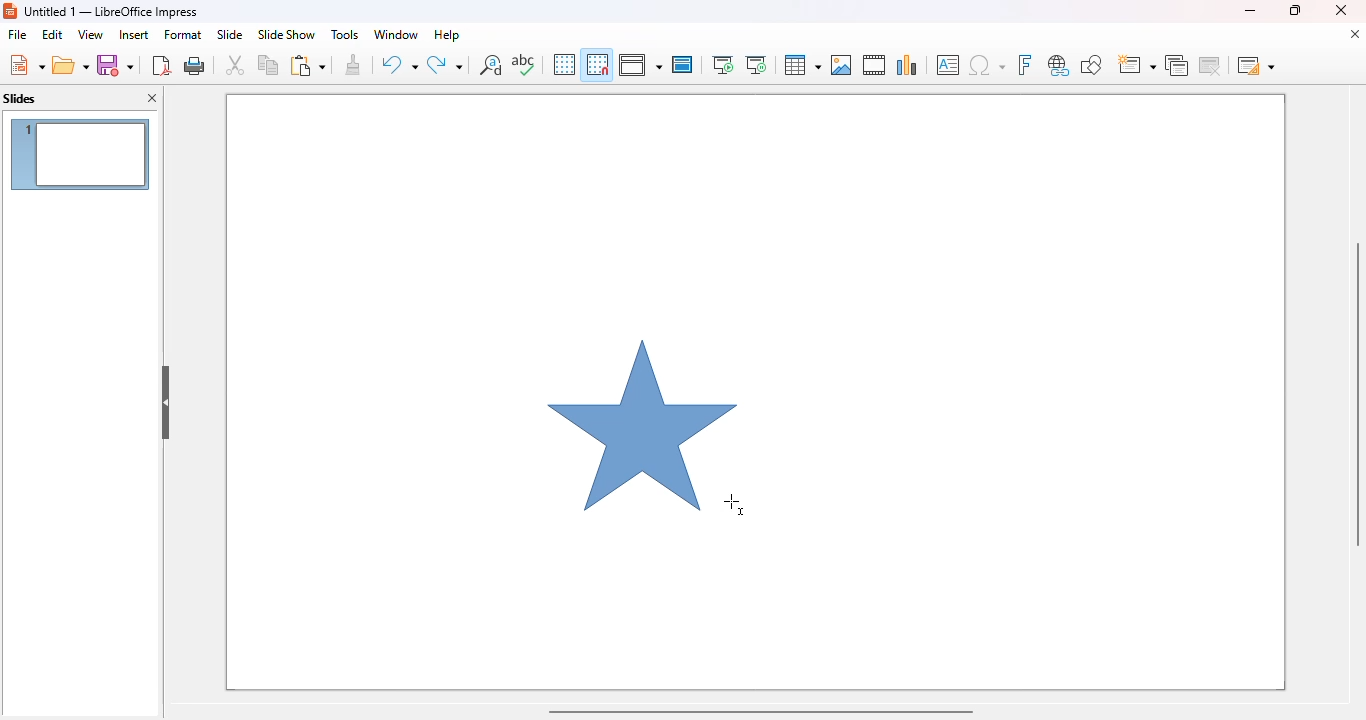 This screenshot has width=1366, height=720. What do you see at coordinates (801, 65) in the screenshot?
I see `table` at bounding box center [801, 65].